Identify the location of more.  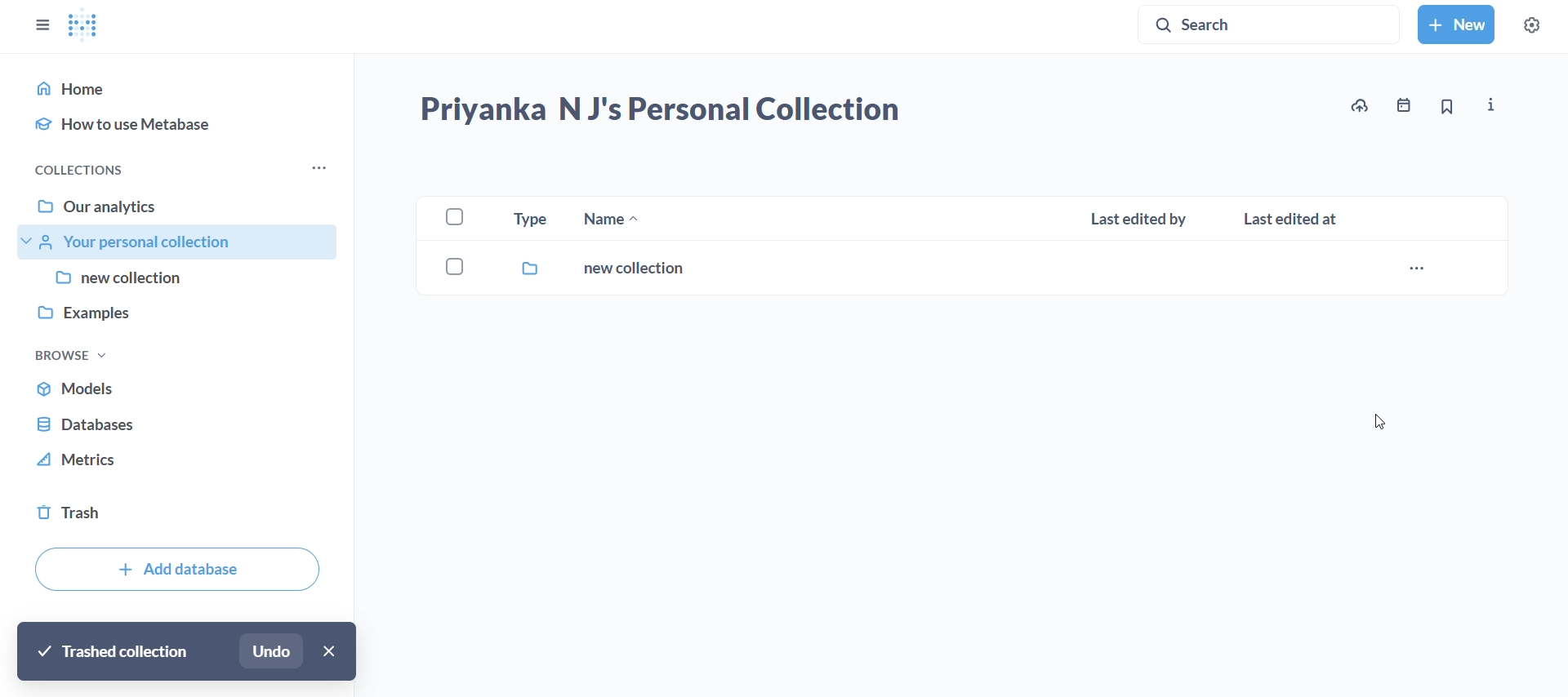
(320, 171).